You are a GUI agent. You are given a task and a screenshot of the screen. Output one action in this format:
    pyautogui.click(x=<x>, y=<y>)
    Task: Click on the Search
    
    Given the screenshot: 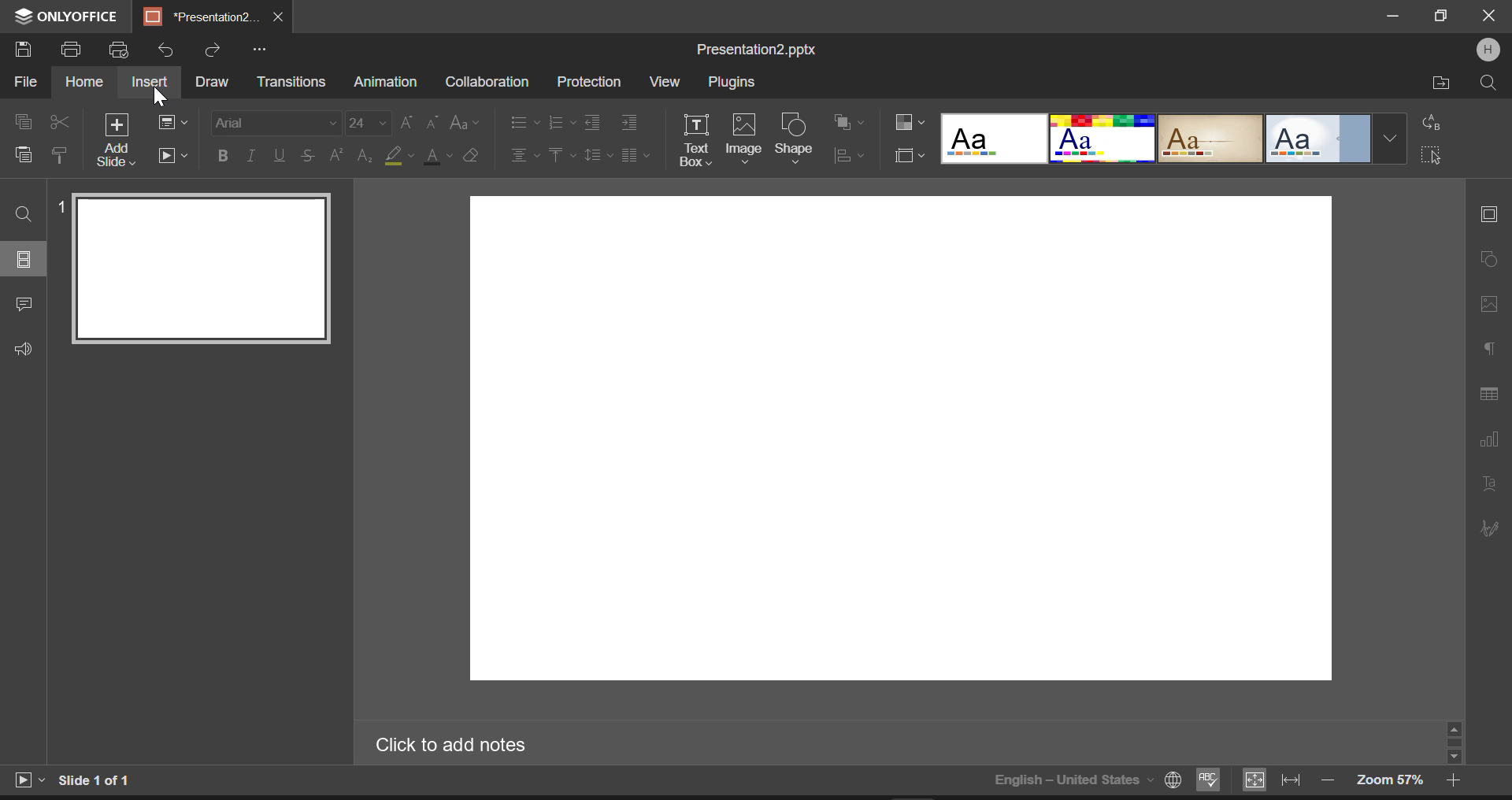 What is the action you would take?
    pyautogui.click(x=1487, y=82)
    